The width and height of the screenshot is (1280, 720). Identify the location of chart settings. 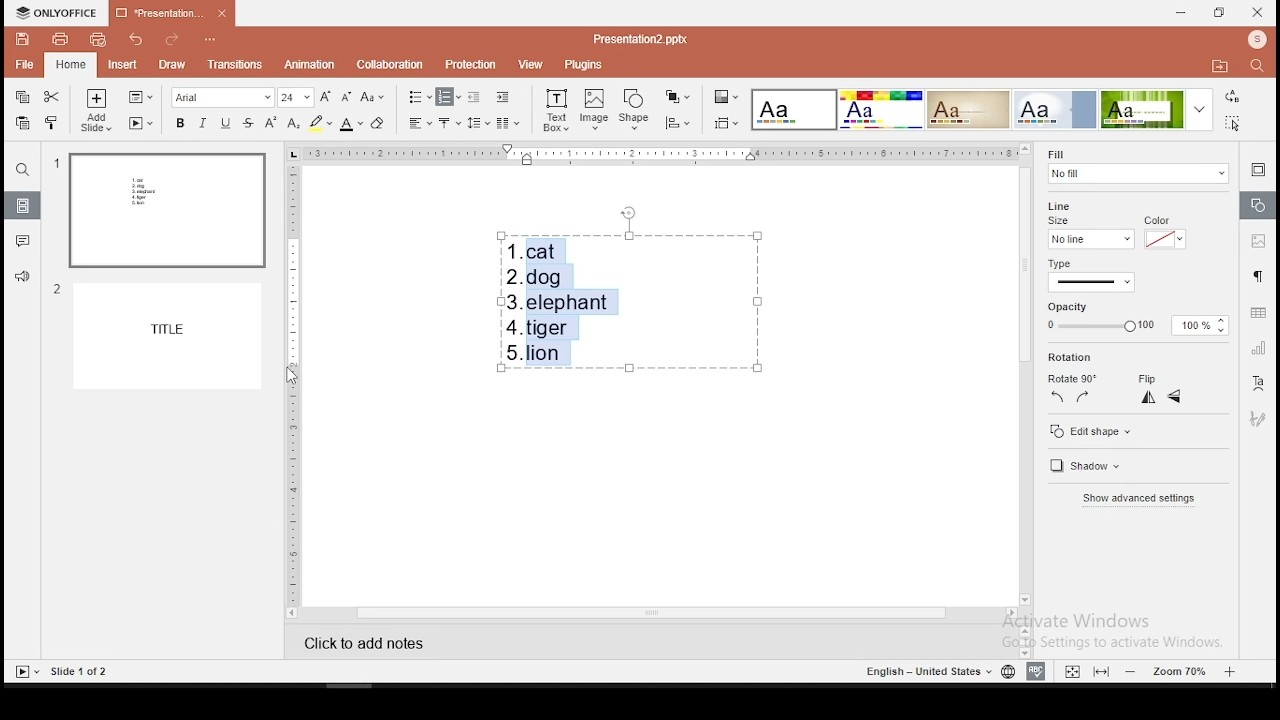
(1257, 349).